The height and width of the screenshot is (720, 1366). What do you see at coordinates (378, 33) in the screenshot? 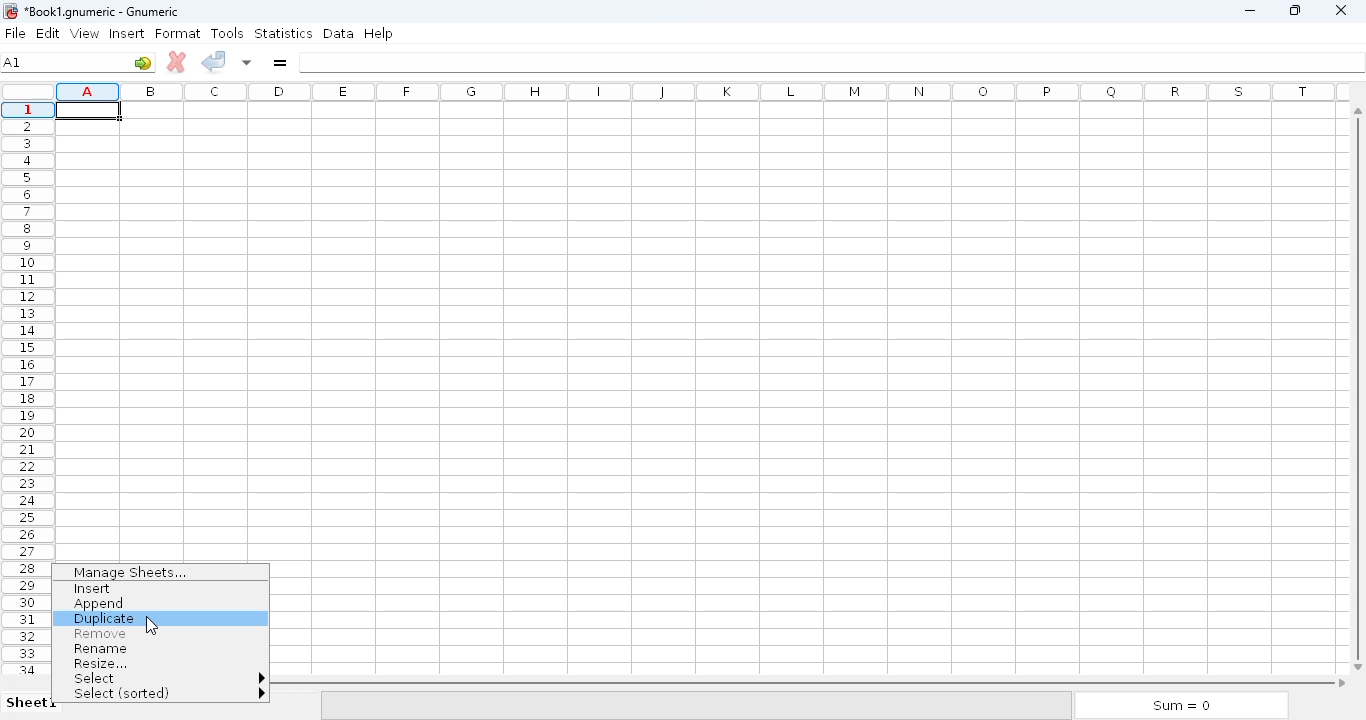
I see `help` at bounding box center [378, 33].